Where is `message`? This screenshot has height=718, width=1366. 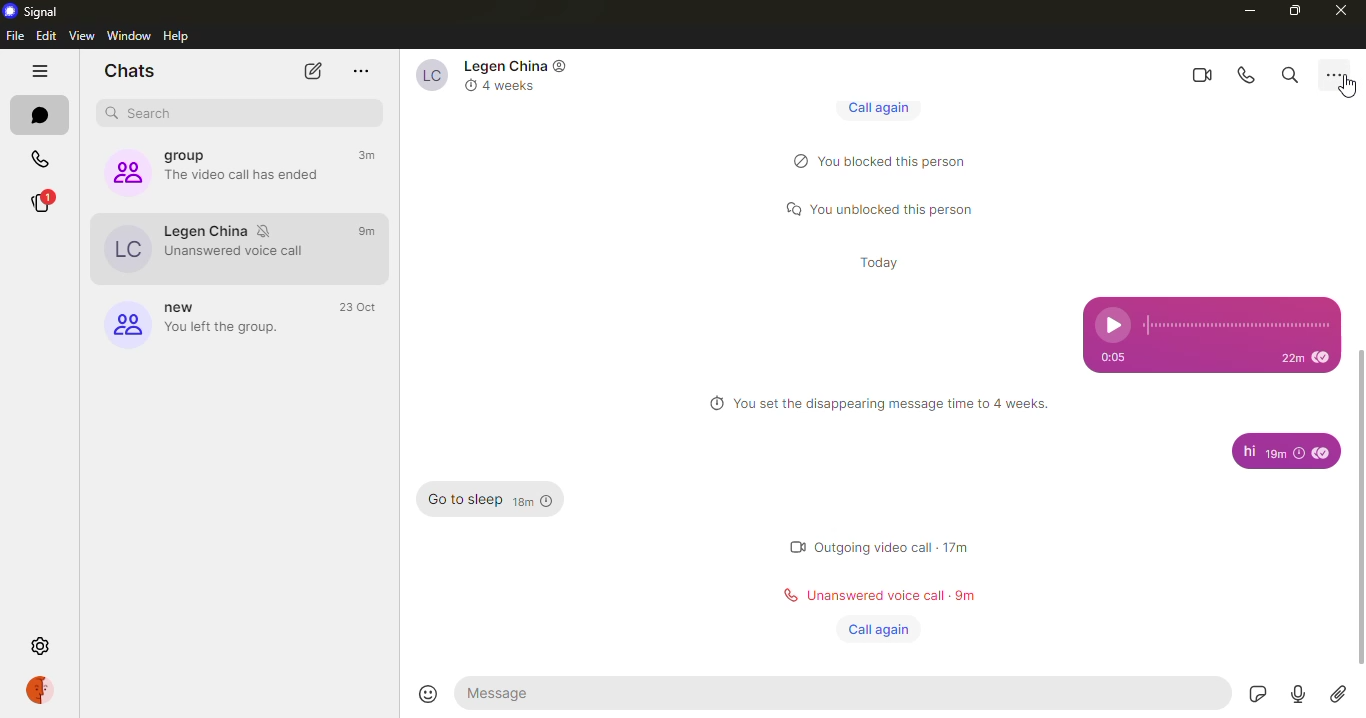 message is located at coordinates (848, 694).